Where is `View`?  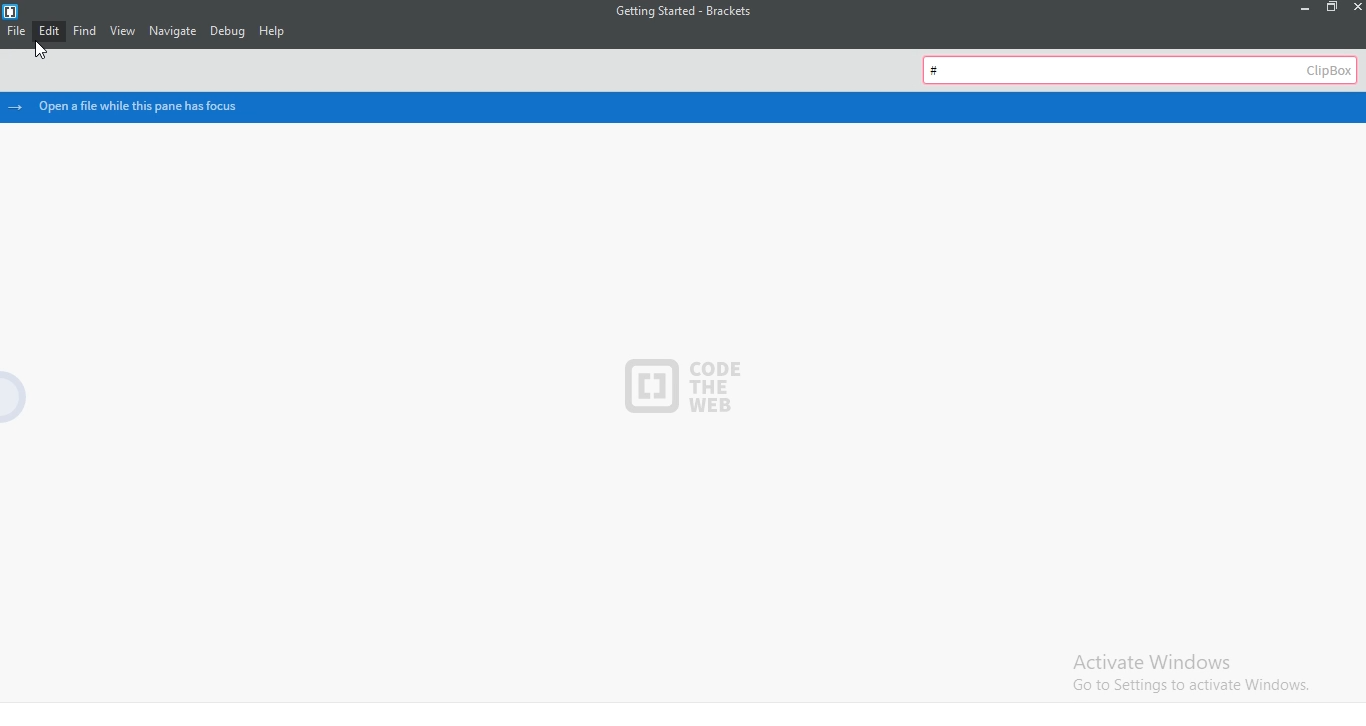
View is located at coordinates (124, 34).